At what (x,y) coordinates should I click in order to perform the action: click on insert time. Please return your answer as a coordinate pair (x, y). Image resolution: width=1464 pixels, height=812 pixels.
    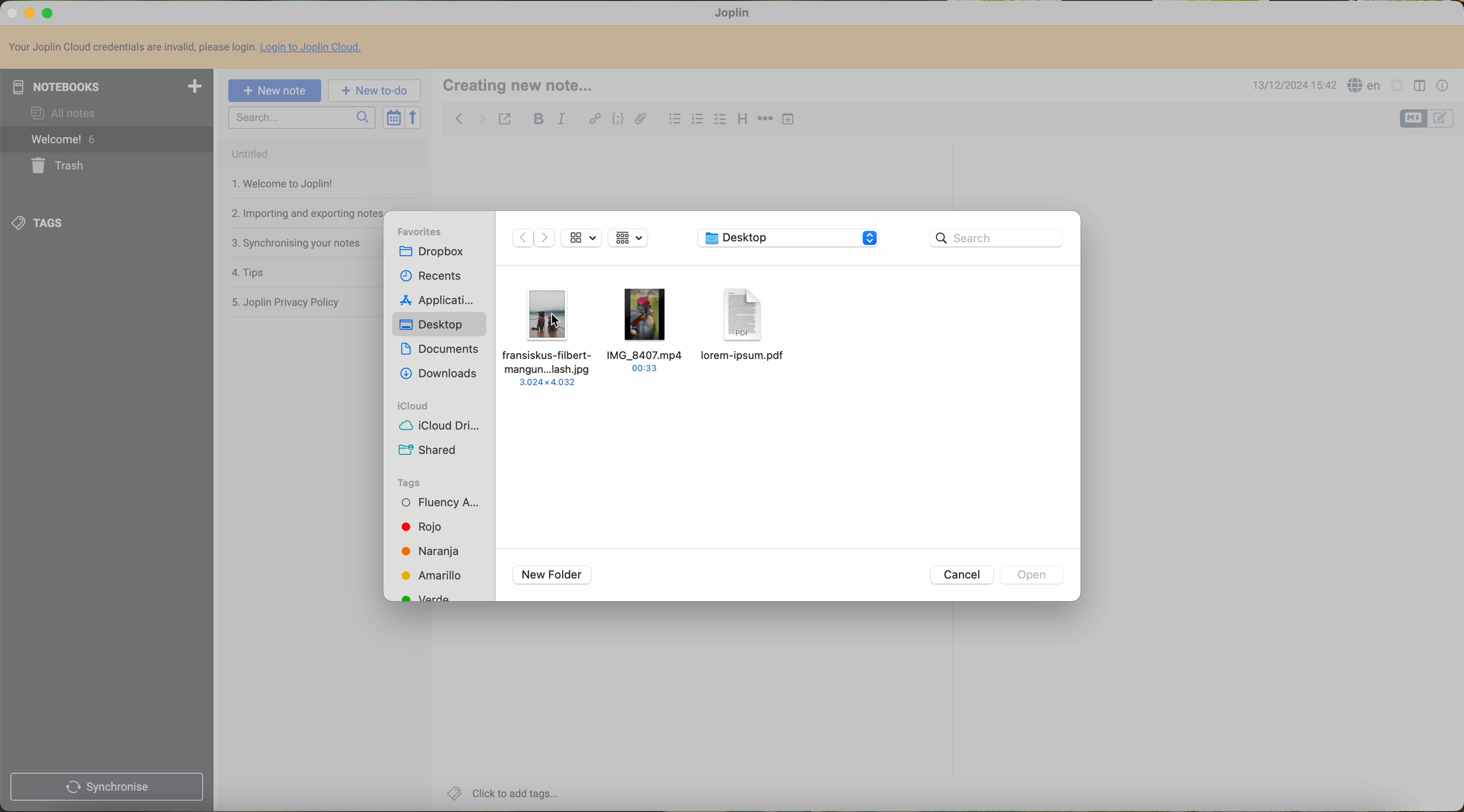
    Looking at the image, I should click on (788, 120).